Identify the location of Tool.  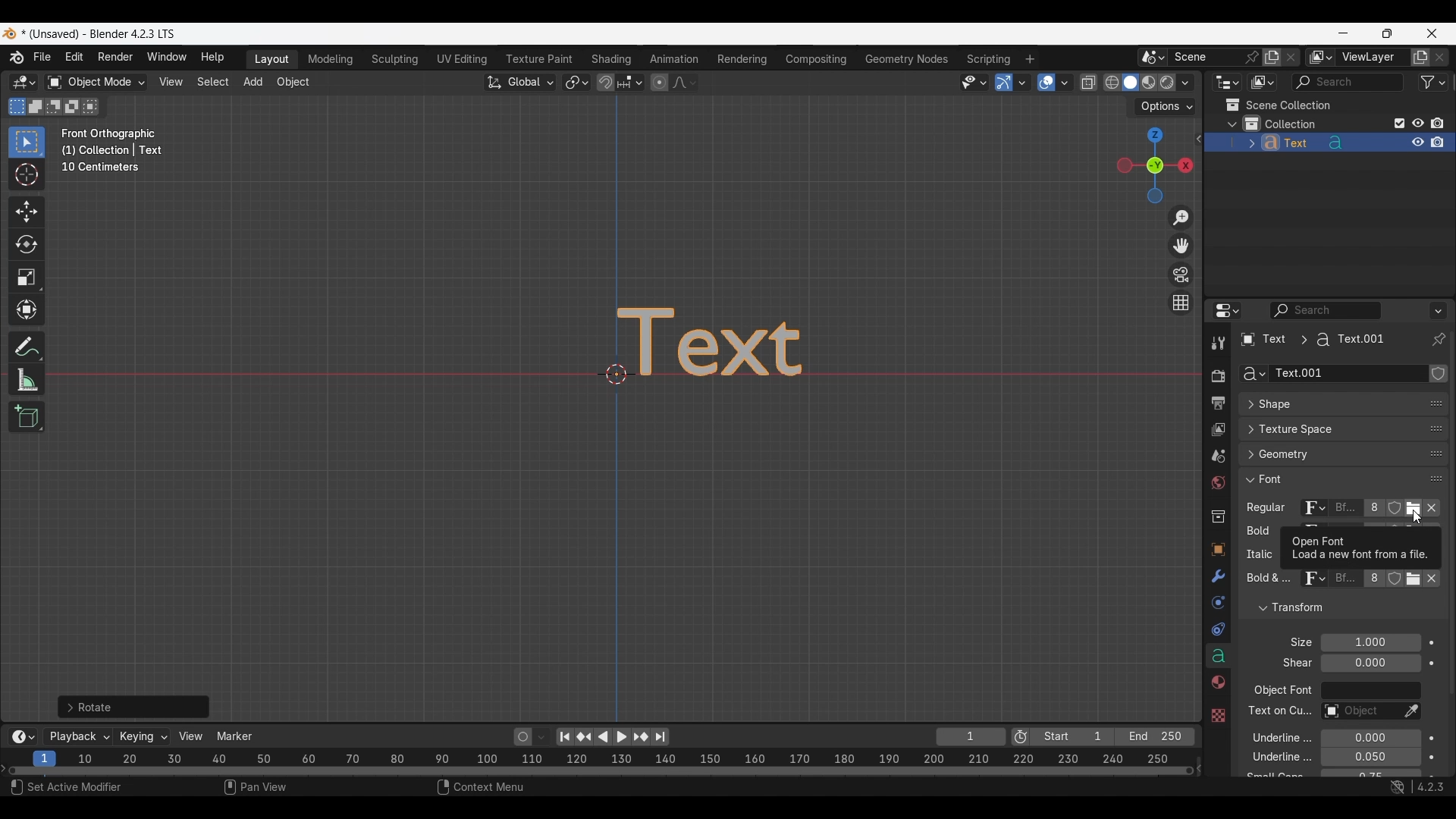
(1218, 343).